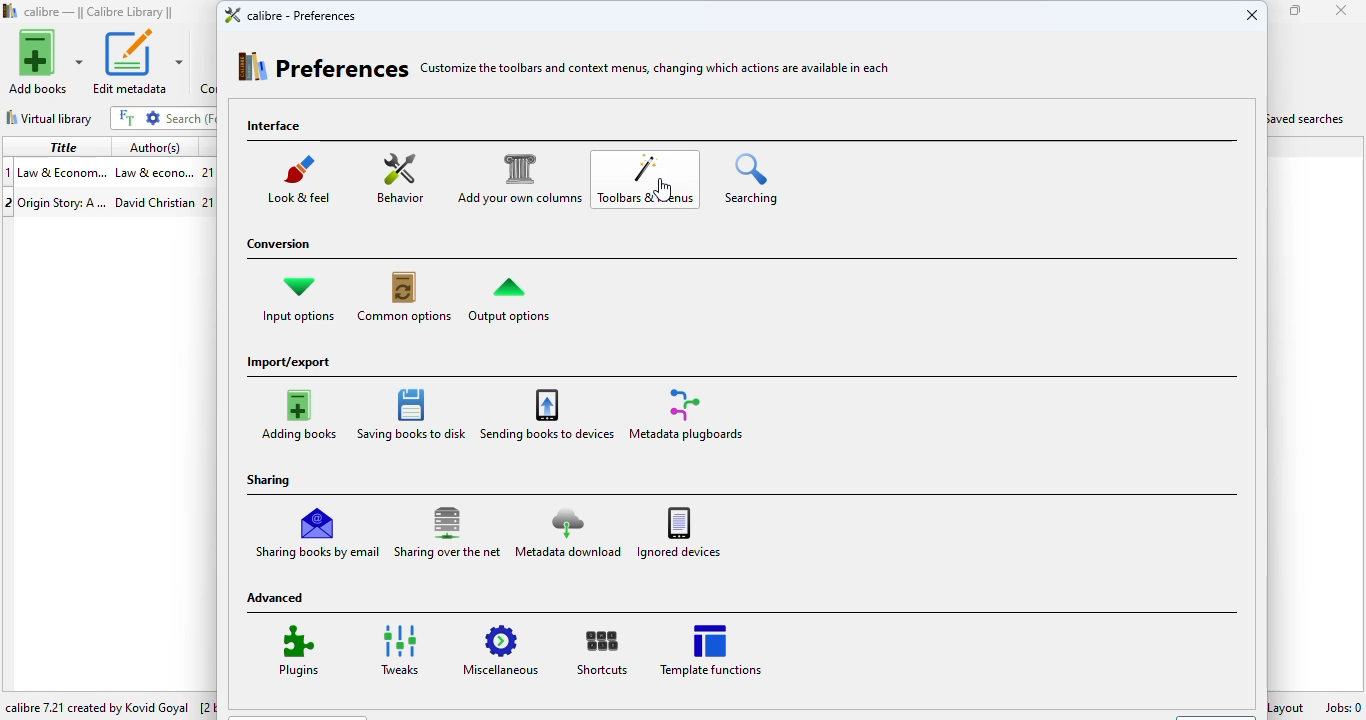 The image size is (1366, 720). Describe the element at coordinates (107, 200) in the screenshot. I see `book 2` at that location.